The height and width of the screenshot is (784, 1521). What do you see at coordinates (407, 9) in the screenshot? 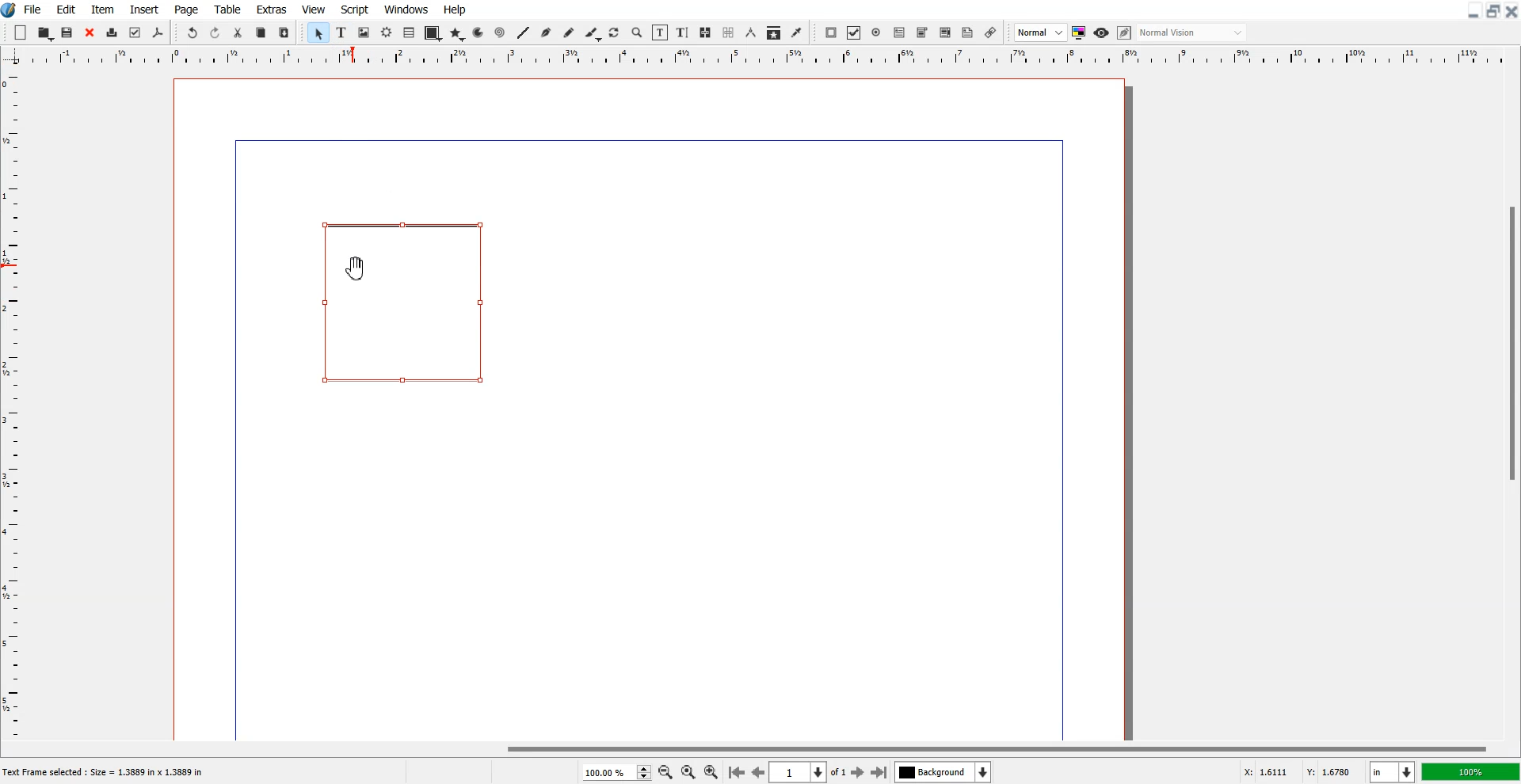
I see `Windows` at bounding box center [407, 9].